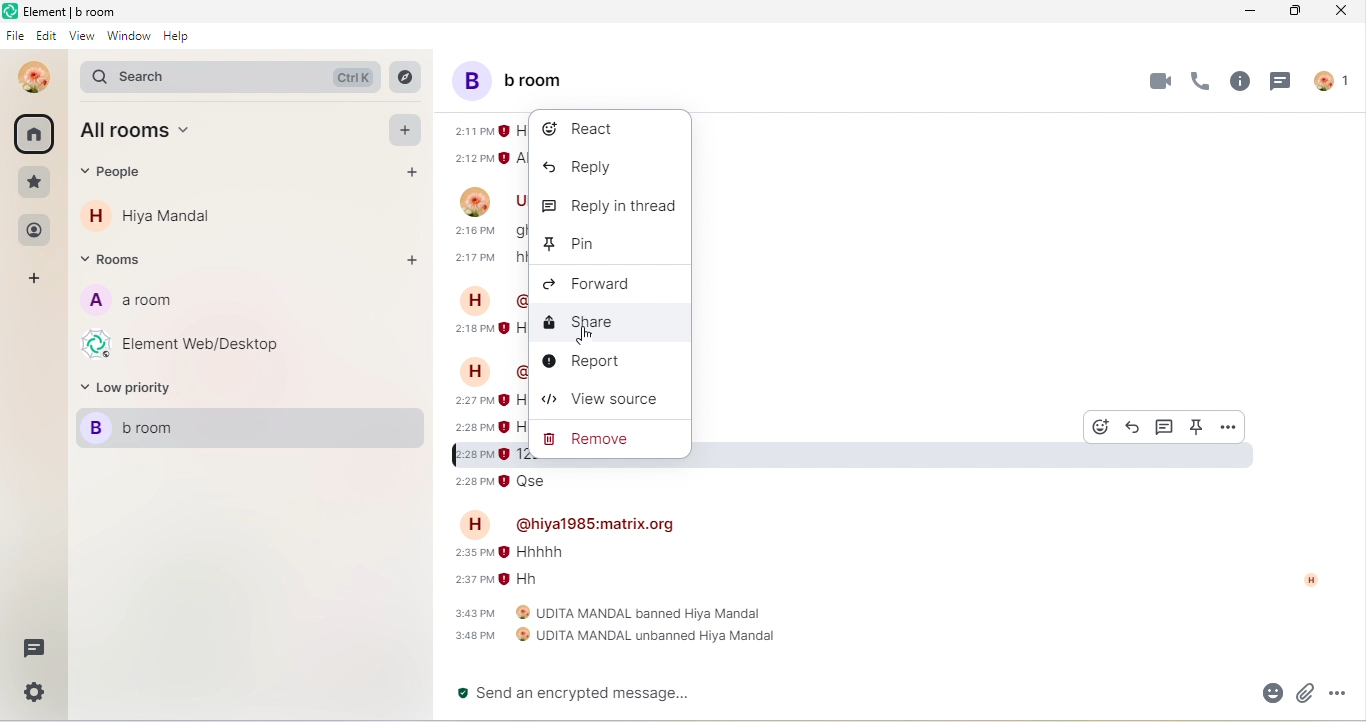 The height and width of the screenshot is (722, 1366). I want to click on Element | b room, so click(82, 11).